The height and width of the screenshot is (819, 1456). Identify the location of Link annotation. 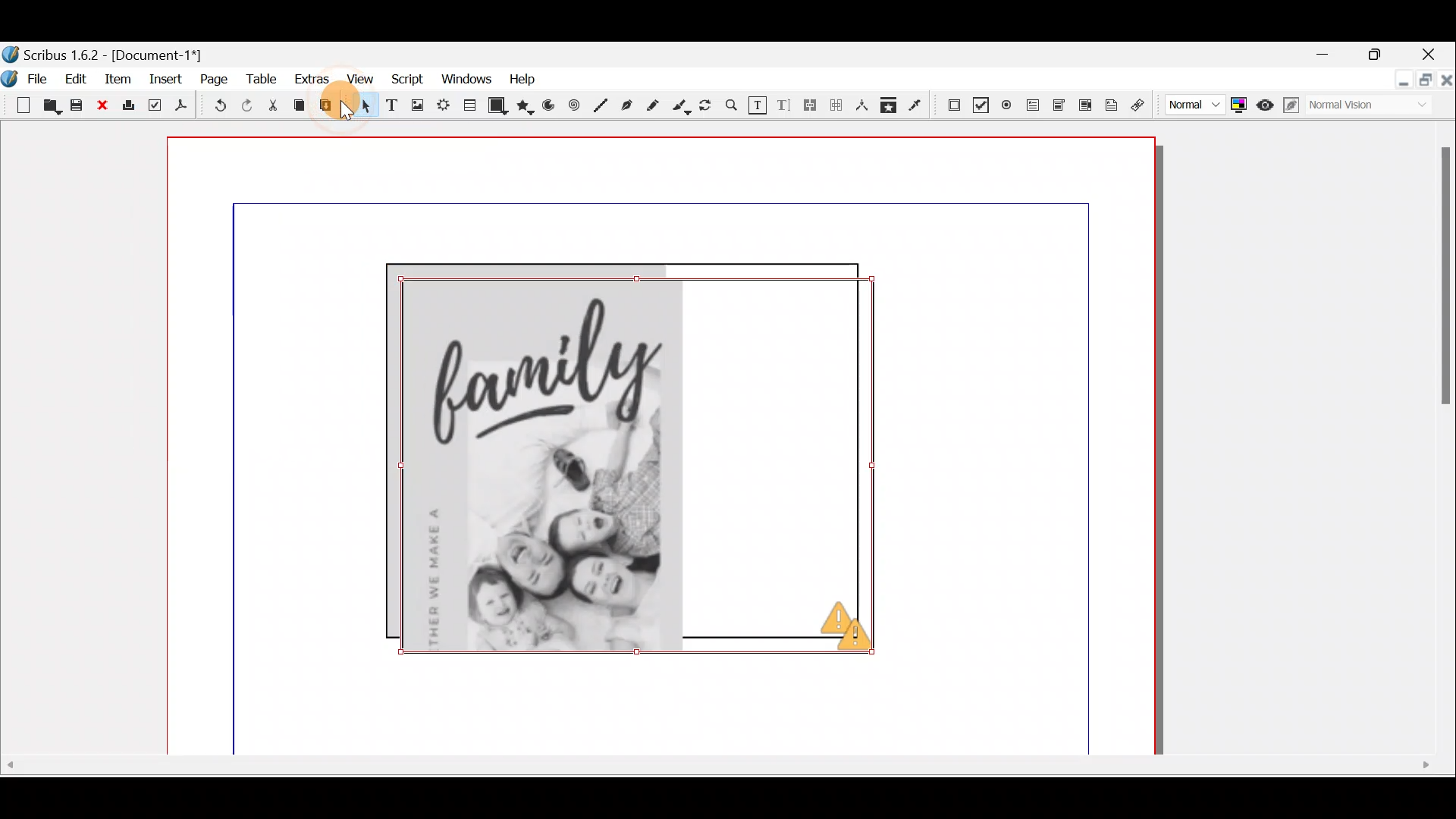
(1141, 105).